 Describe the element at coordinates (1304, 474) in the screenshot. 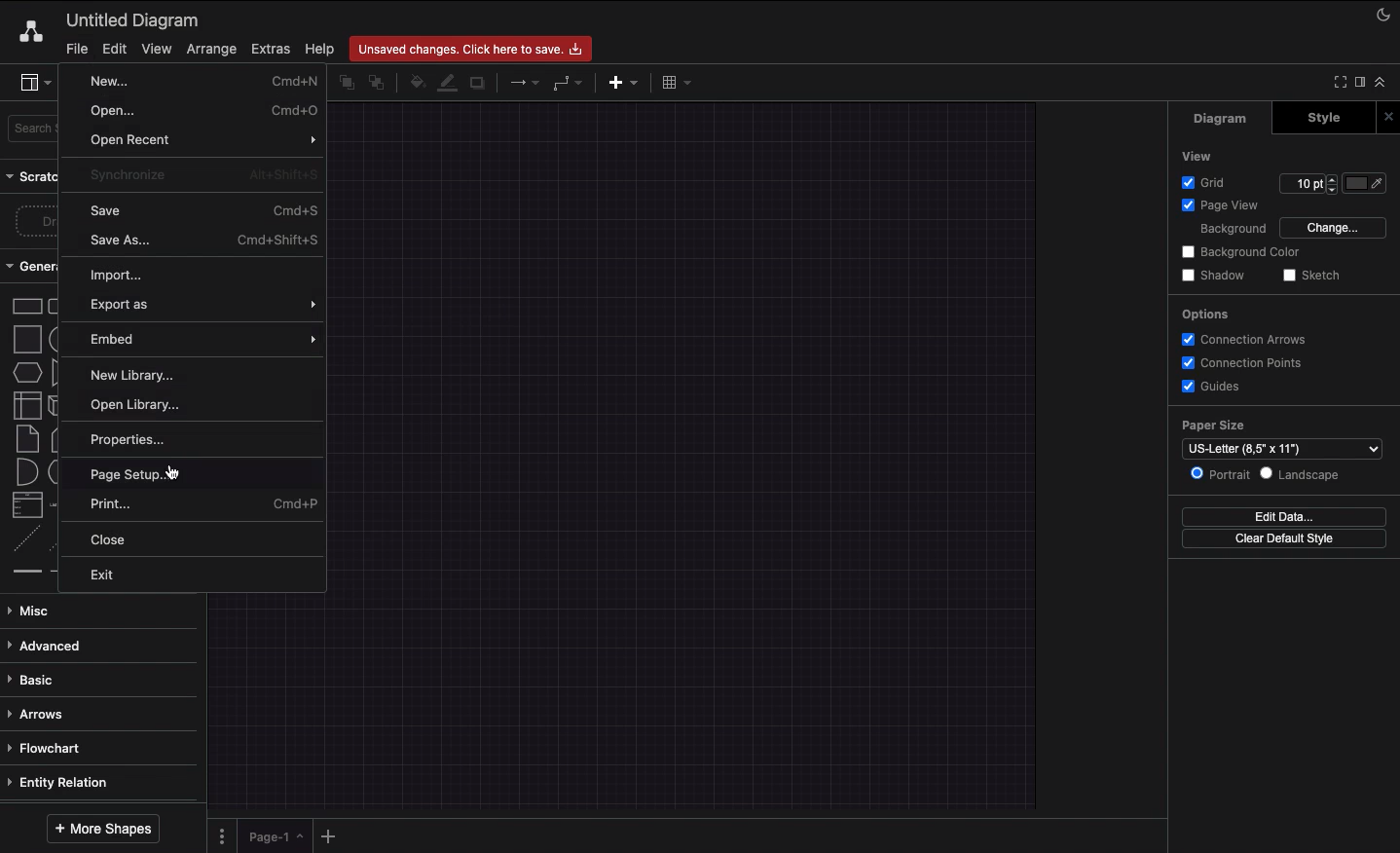

I see `Landscape ` at that location.